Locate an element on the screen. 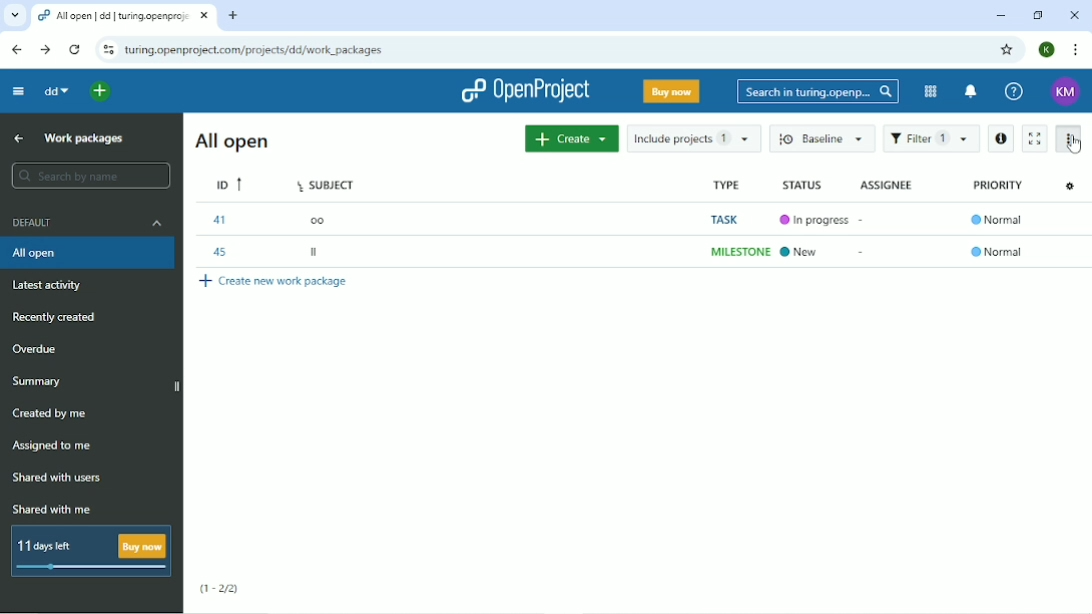 The height and width of the screenshot is (614, 1092). Subject is located at coordinates (327, 182).